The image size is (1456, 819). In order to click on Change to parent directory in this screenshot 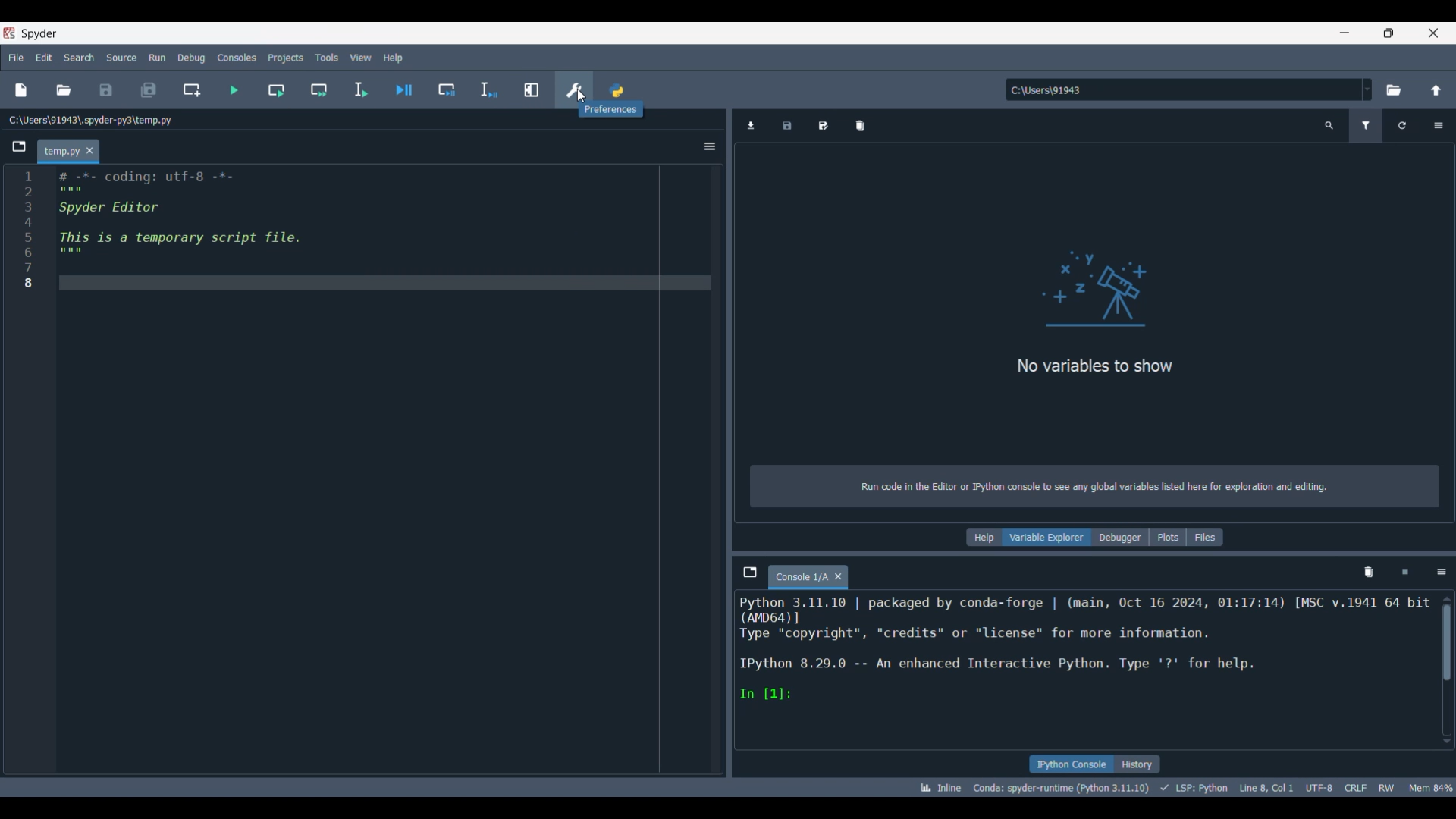, I will do `click(1436, 90)`.